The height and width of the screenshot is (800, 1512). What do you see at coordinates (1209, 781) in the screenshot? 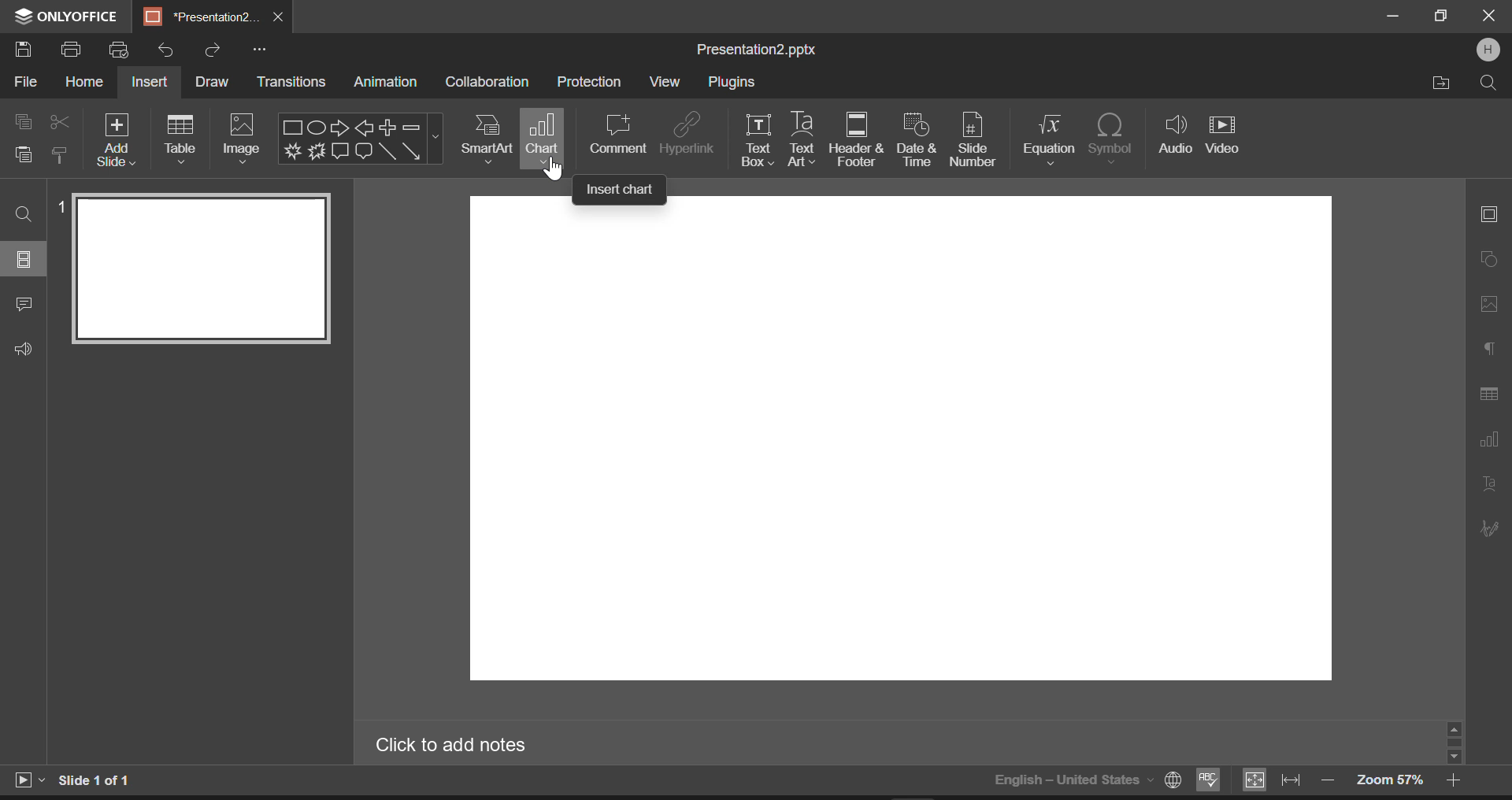
I see `Spellchecking` at bounding box center [1209, 781].